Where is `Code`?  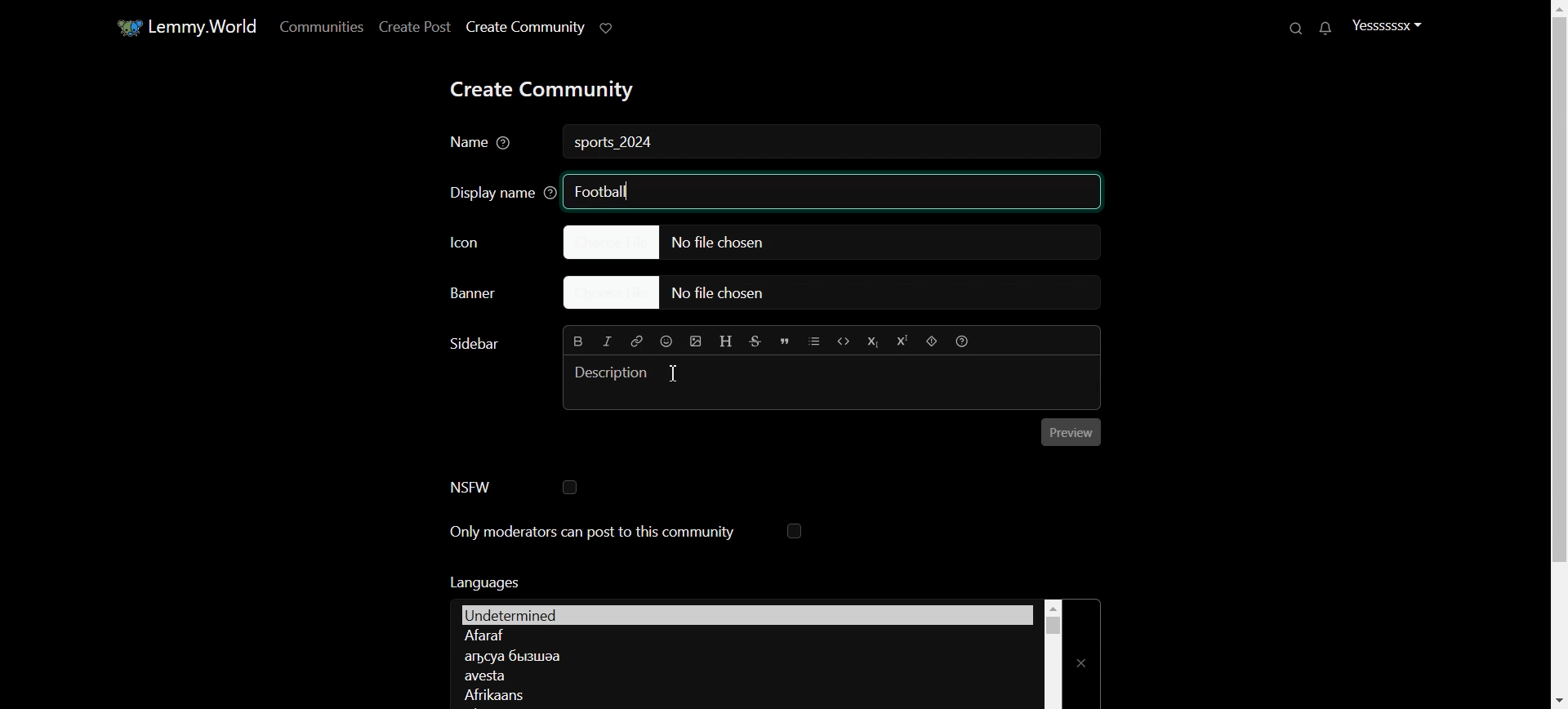 Code is located at coordinates (844, 341).